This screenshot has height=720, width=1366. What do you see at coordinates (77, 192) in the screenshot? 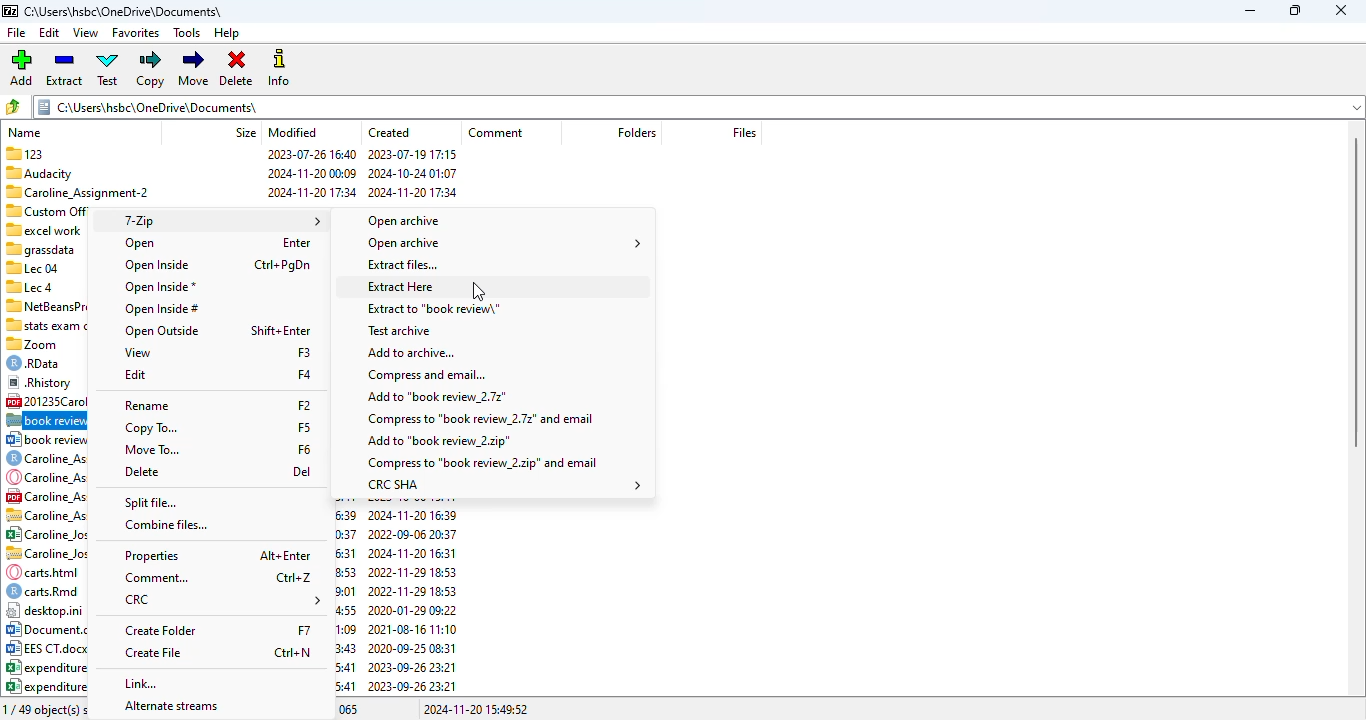
I see `Caroline Assignment-2` at bounding box center [77, 192].